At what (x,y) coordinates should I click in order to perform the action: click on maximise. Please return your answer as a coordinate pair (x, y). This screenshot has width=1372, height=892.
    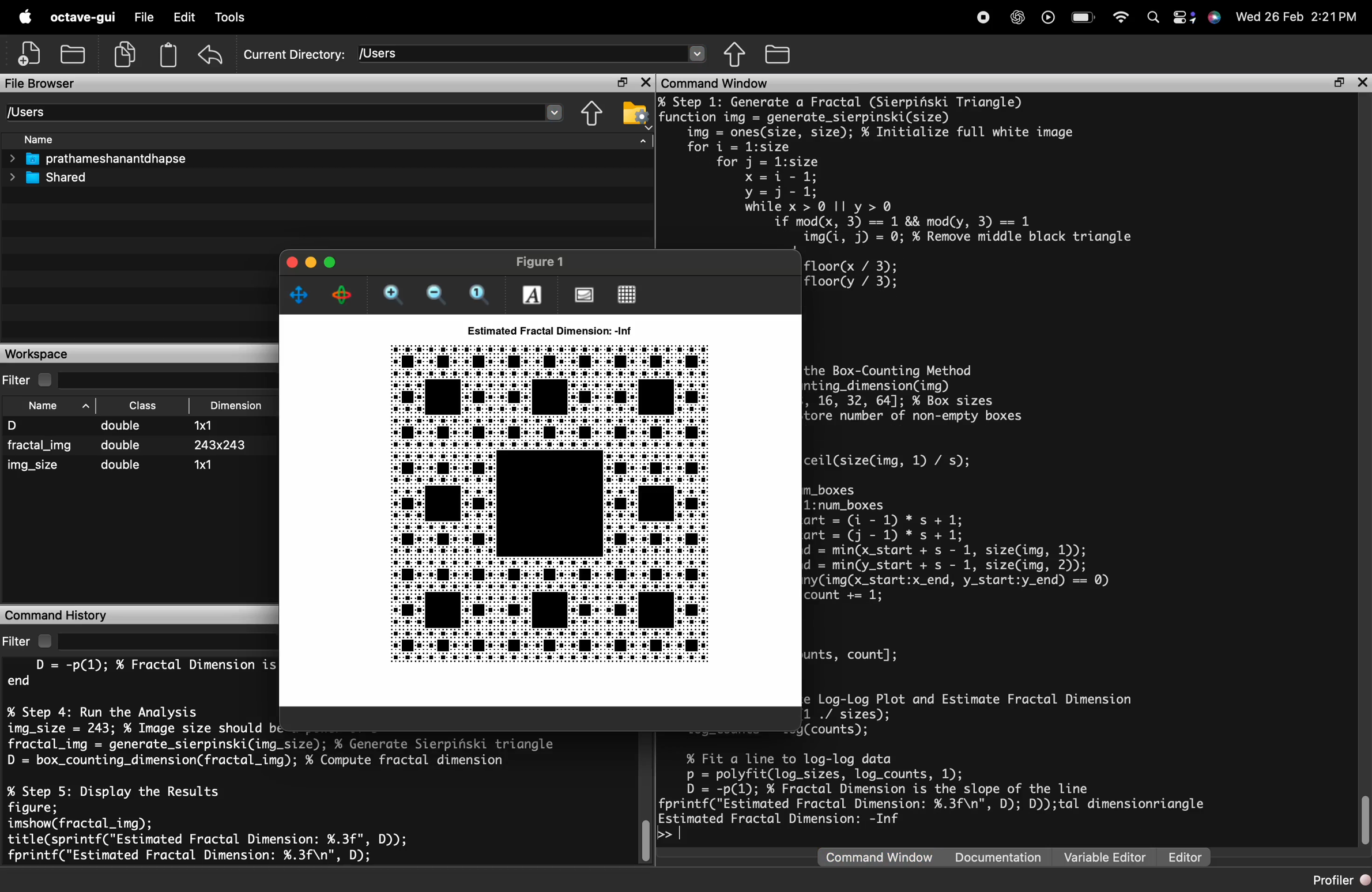
    Looking at the image, I should click on (1336, 80).